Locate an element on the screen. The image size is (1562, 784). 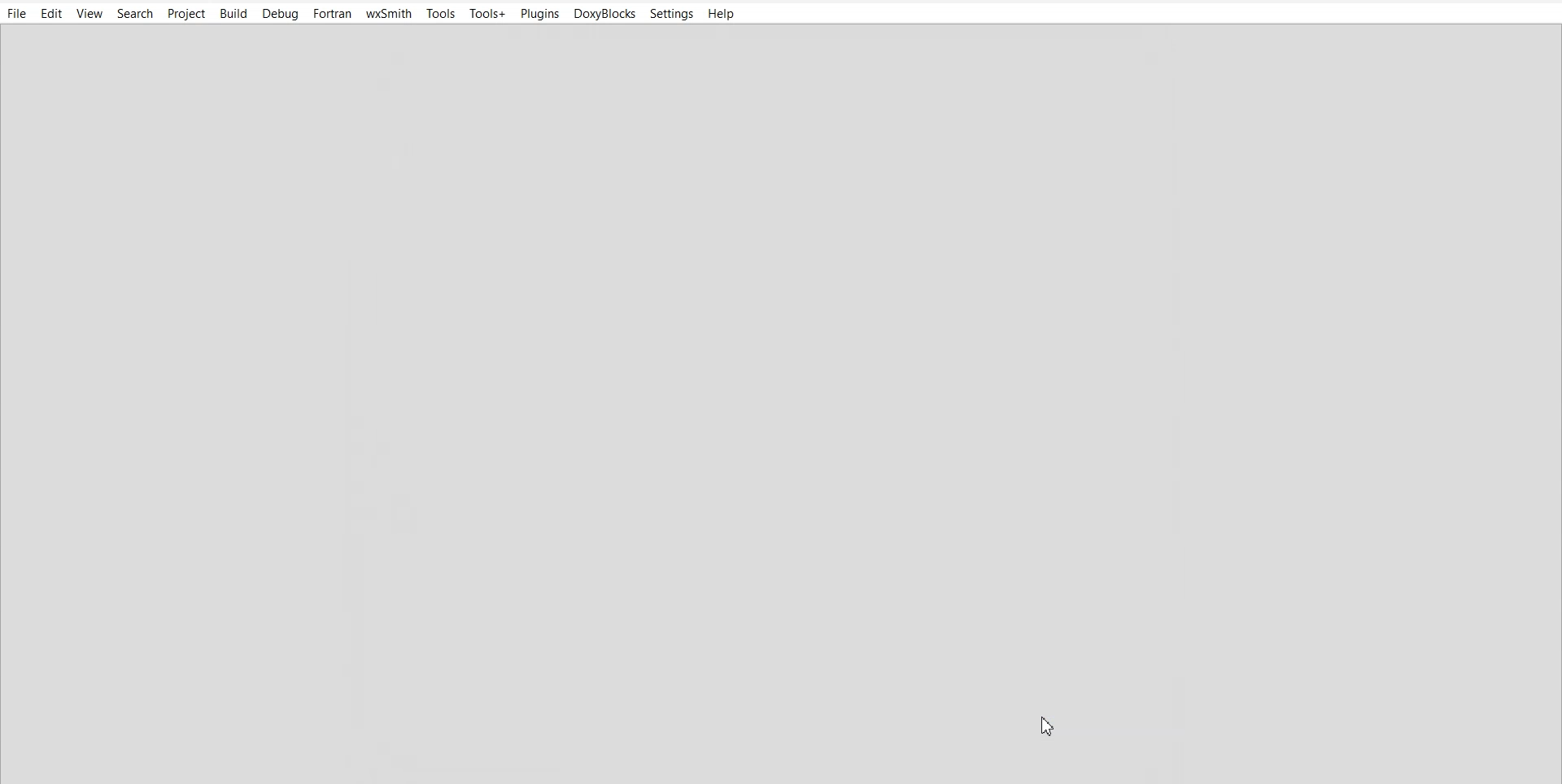
wxSmith is located at coordinates (388, 13).